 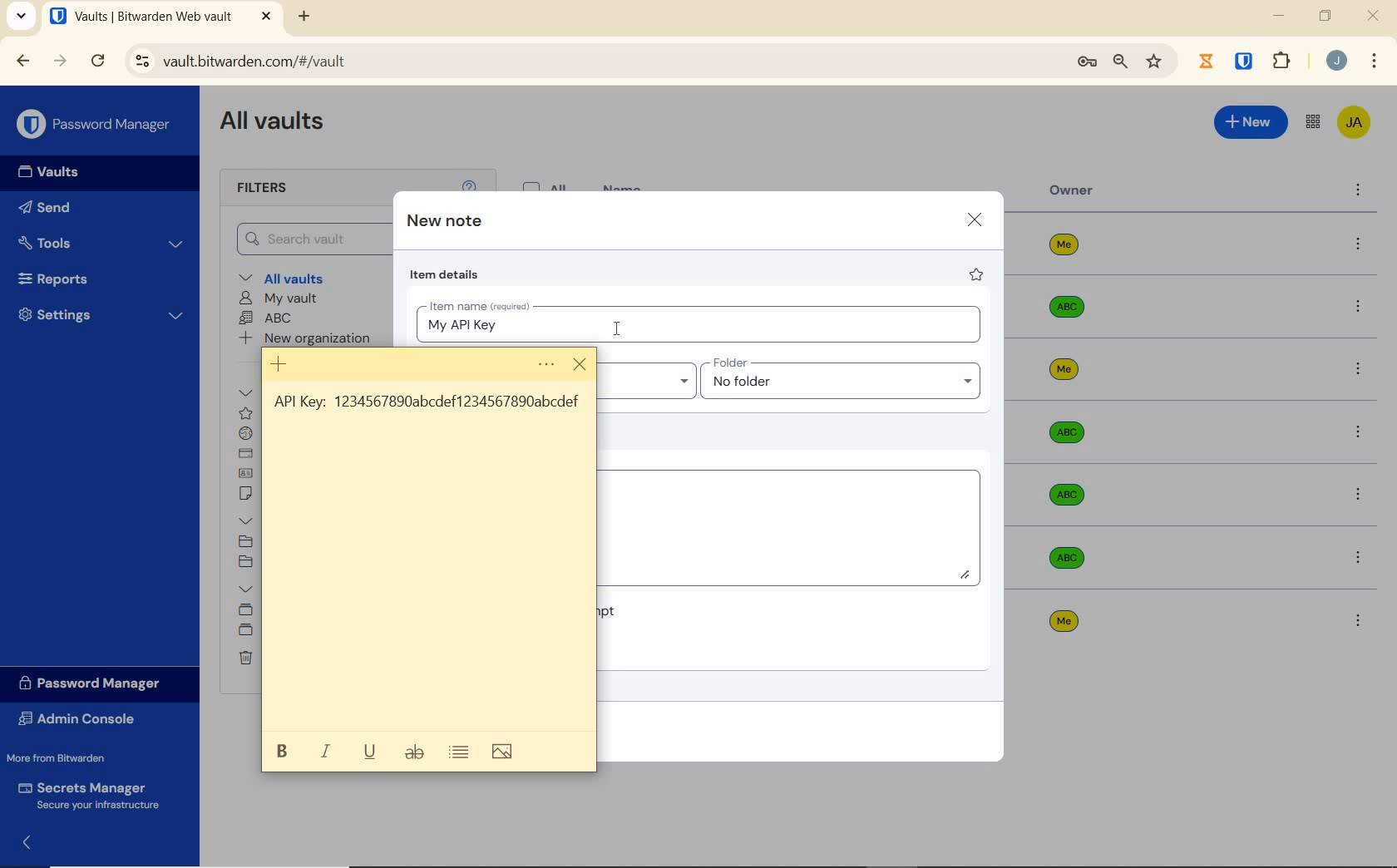 What do you see at coordinates (277, 362) in the screenshot?
I see `New note` at bounding box center [277, 362].